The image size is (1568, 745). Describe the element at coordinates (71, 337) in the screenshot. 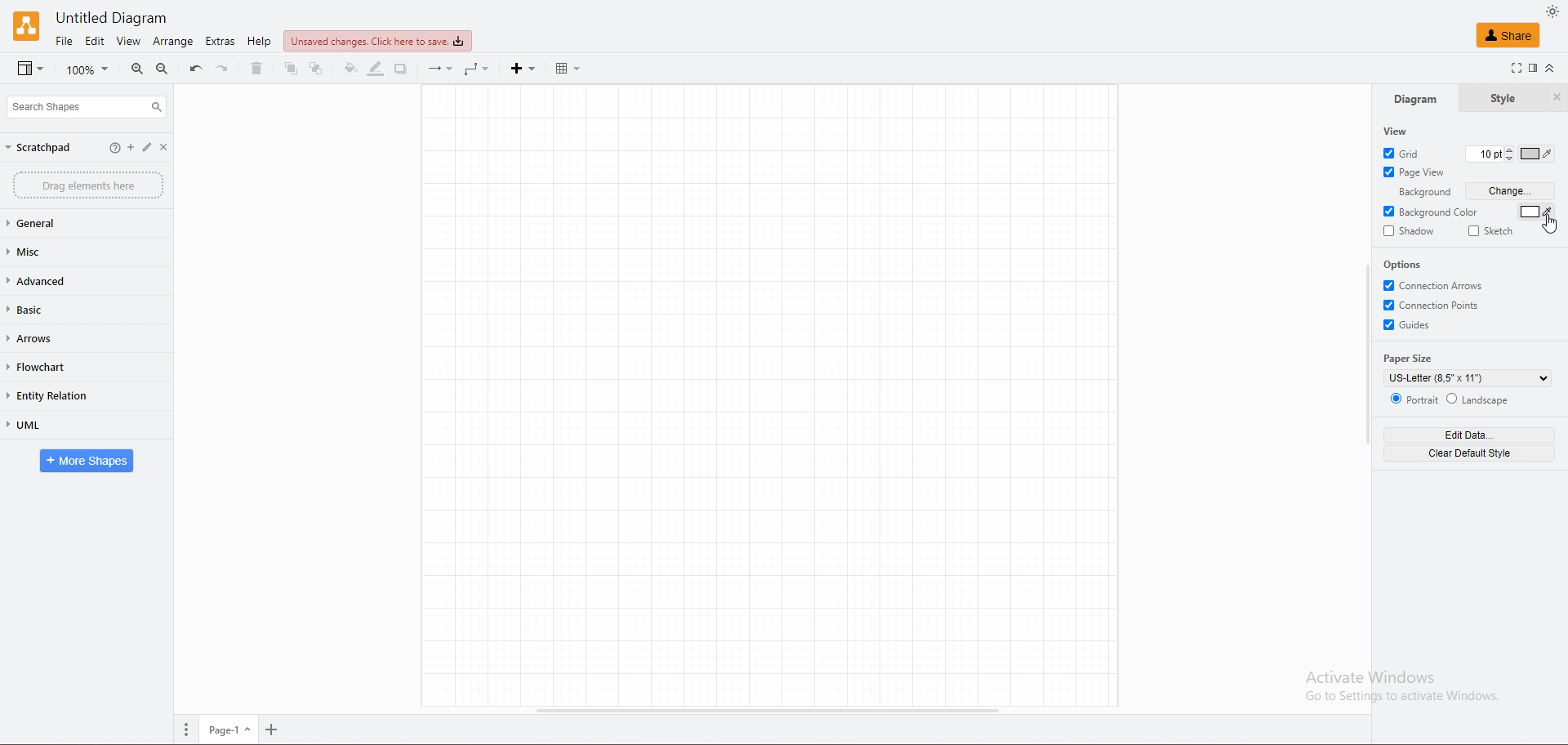

I see `arrows` at that location.